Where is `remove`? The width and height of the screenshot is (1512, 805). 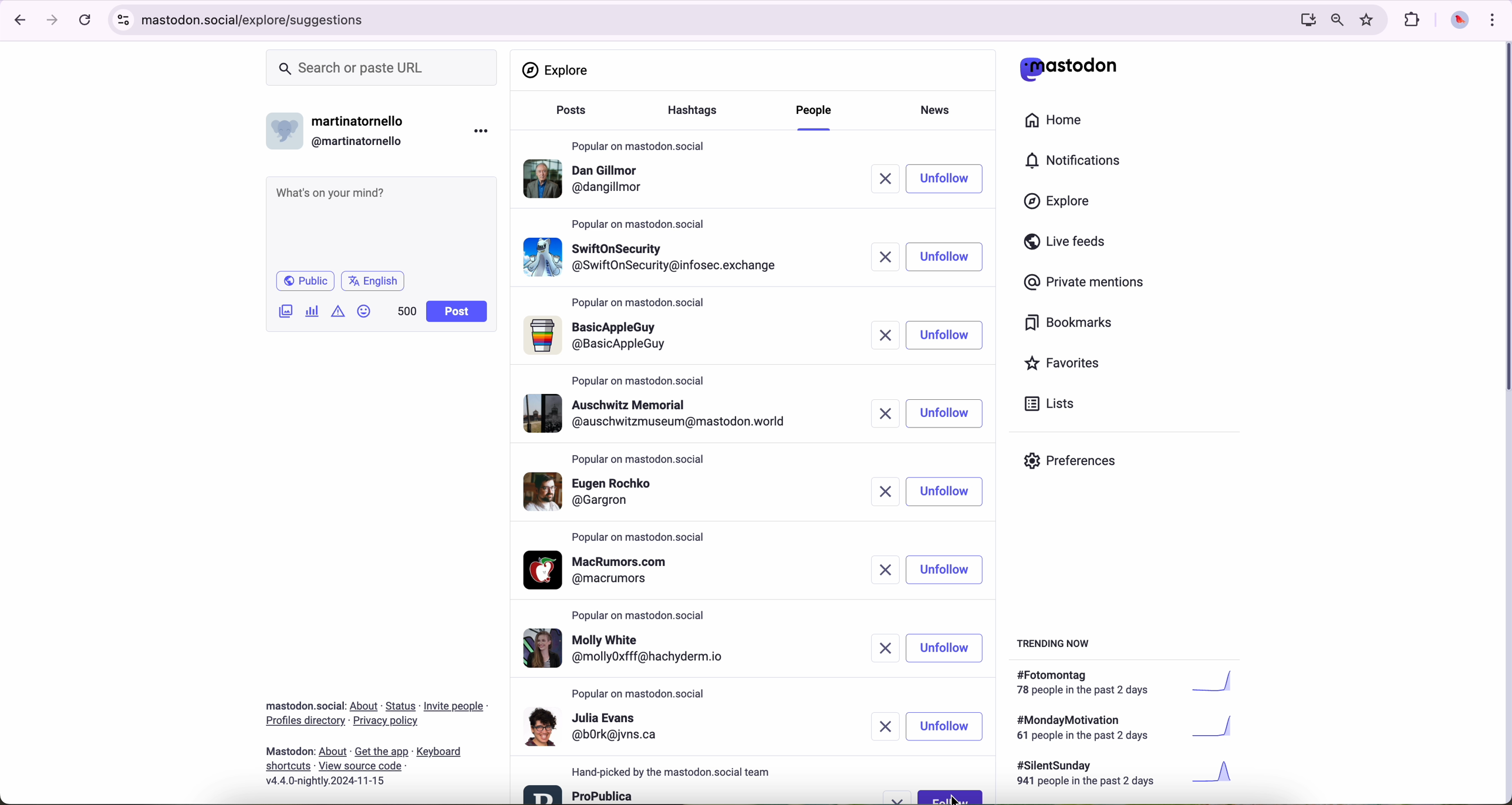
remove is located at coordinates (889, 336).